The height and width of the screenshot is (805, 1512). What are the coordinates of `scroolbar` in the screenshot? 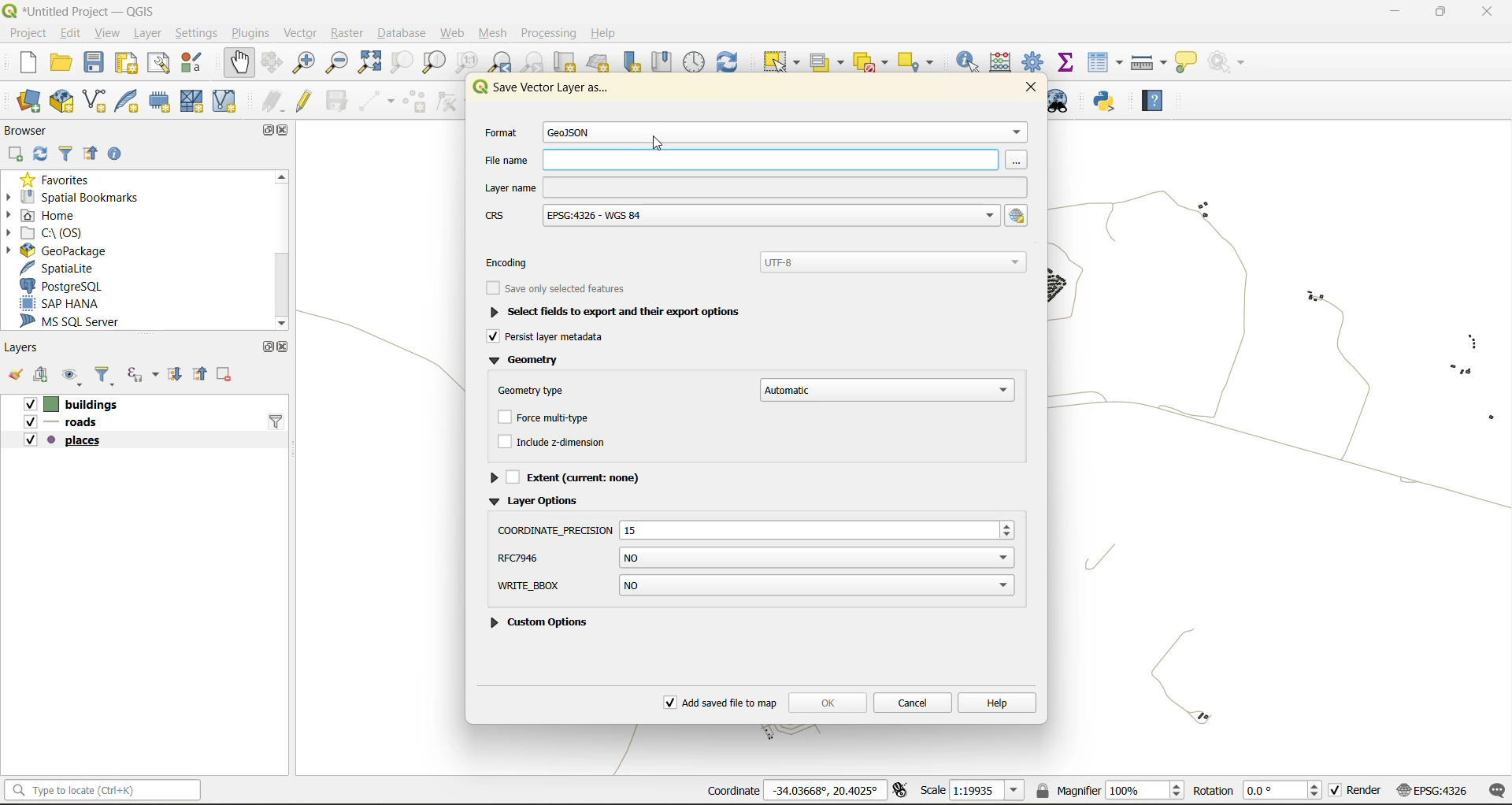 It's located at (283, 246).